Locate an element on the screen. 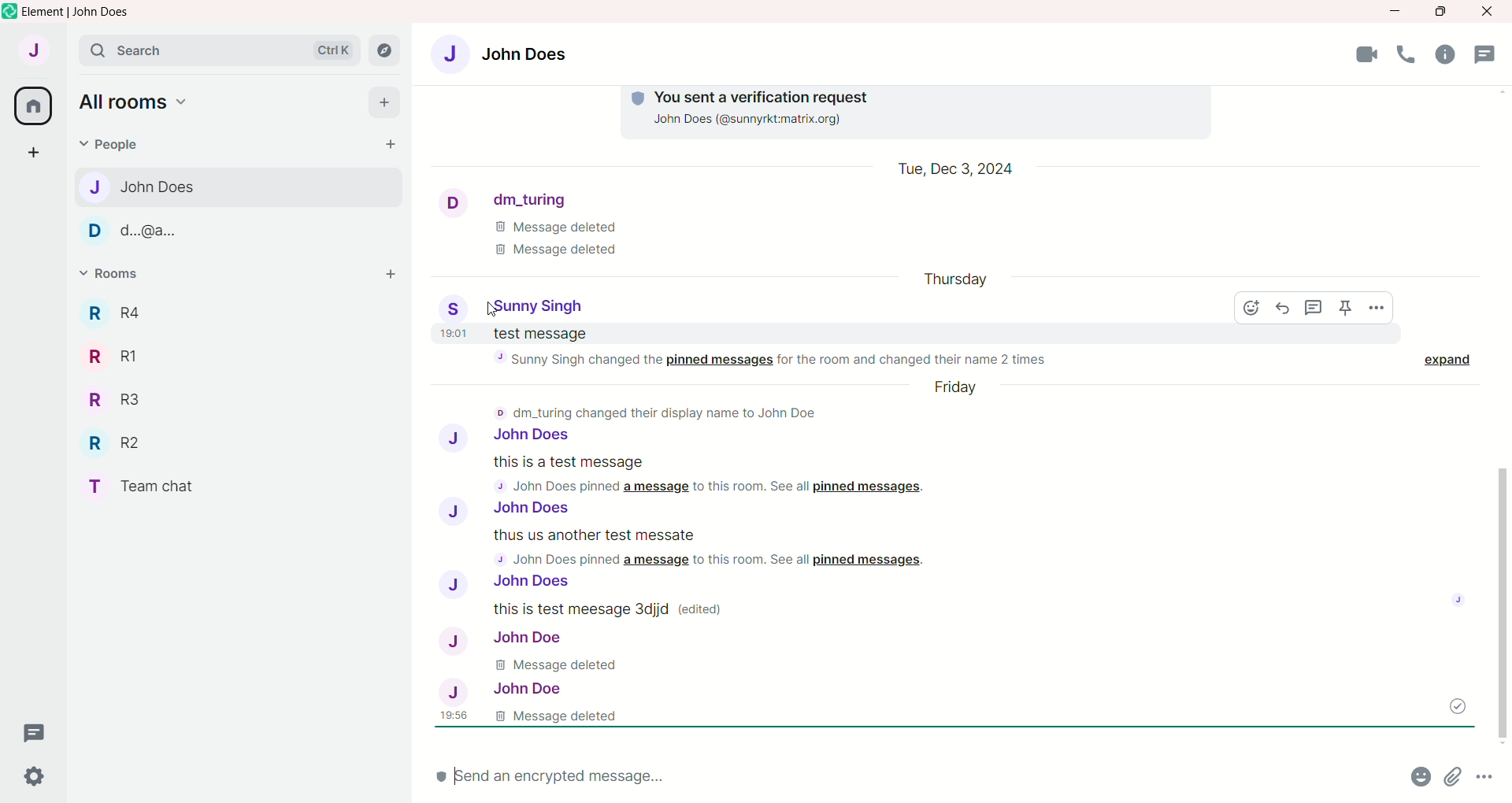  add is located at coordinates (386, 276).